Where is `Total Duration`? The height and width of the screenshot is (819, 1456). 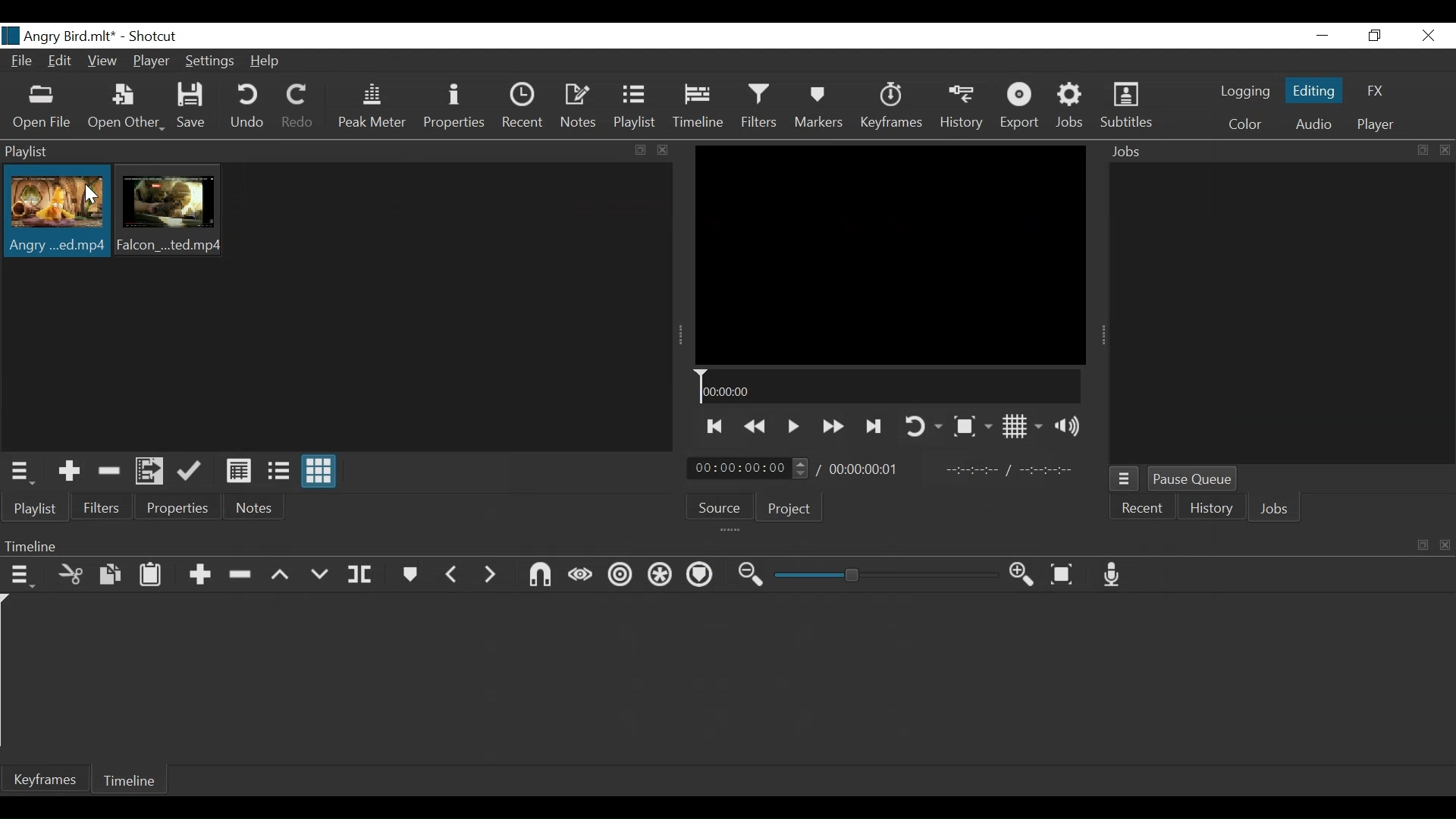 Total Duration is located at coordinates (870, 471).